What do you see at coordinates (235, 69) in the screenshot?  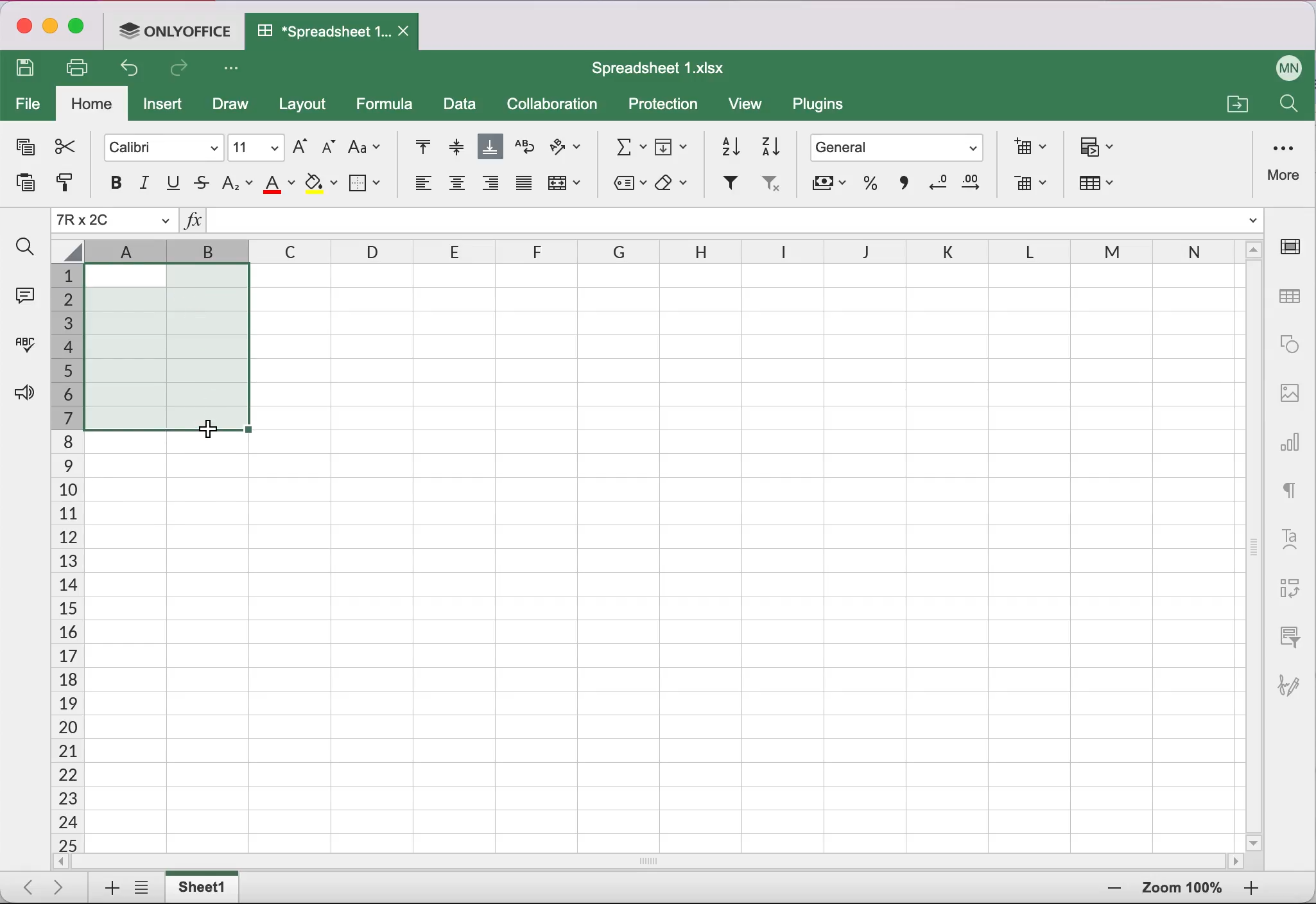 I see `customize quick access toolbar` at bounding box center [235, 69].